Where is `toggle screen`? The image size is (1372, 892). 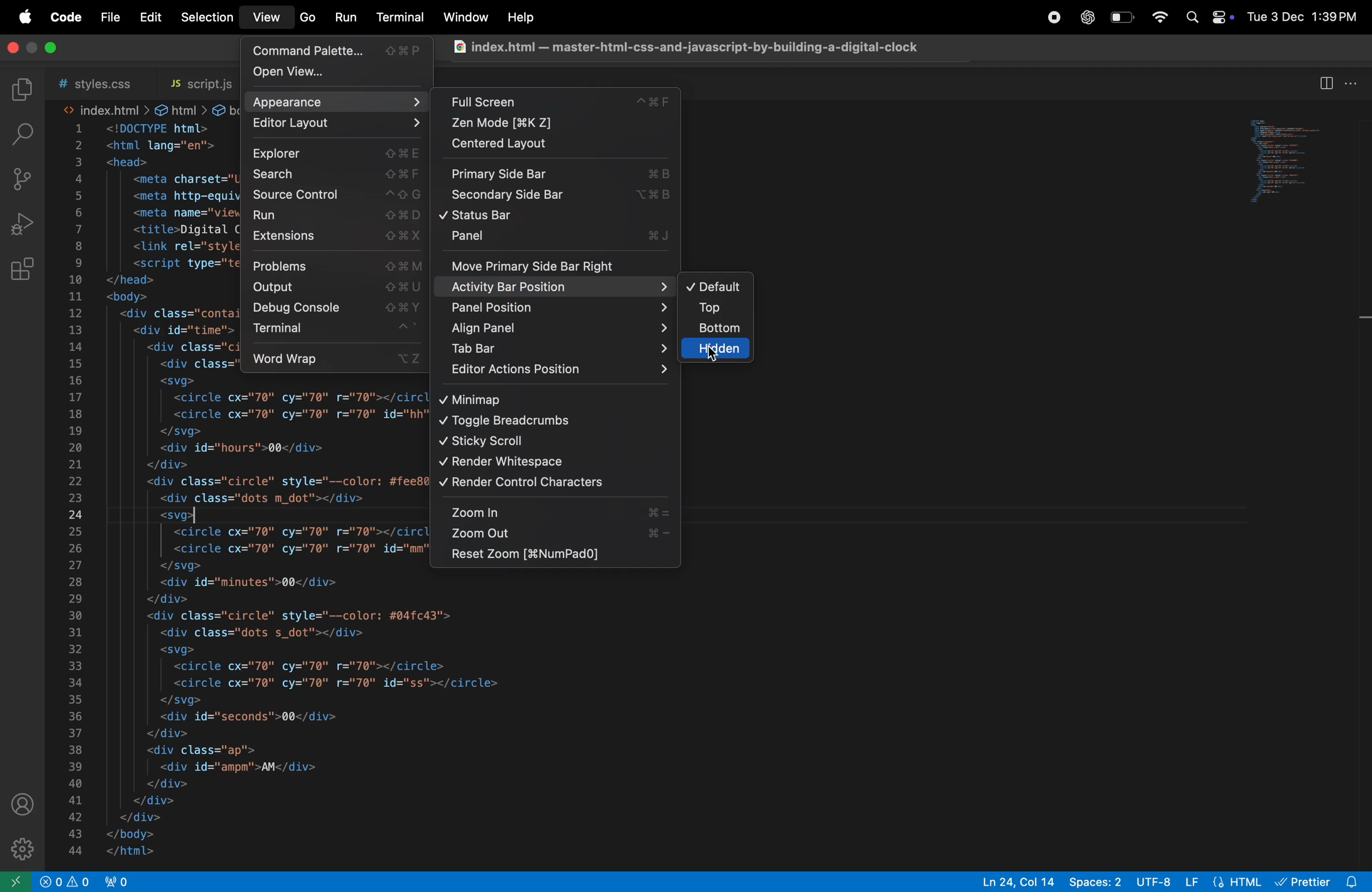 toggle screen is located at coordinates (35, 46).